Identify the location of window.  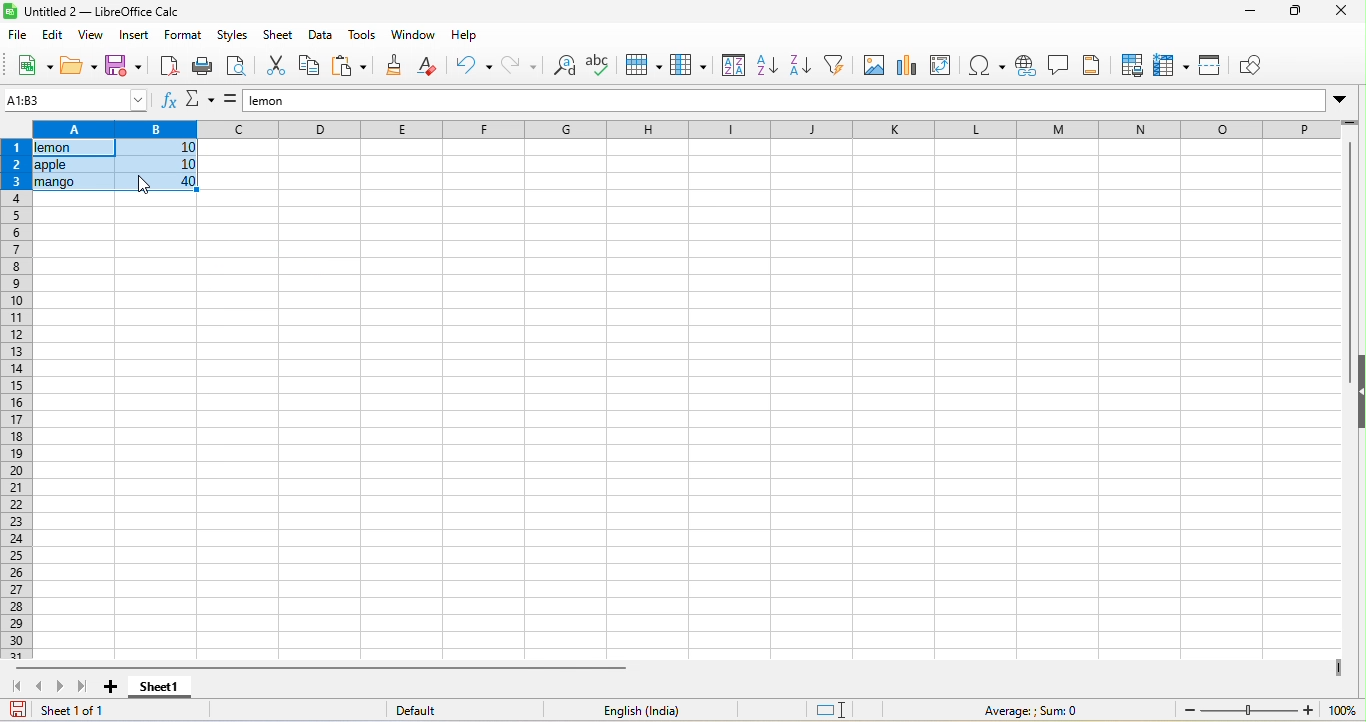
(414, 34).